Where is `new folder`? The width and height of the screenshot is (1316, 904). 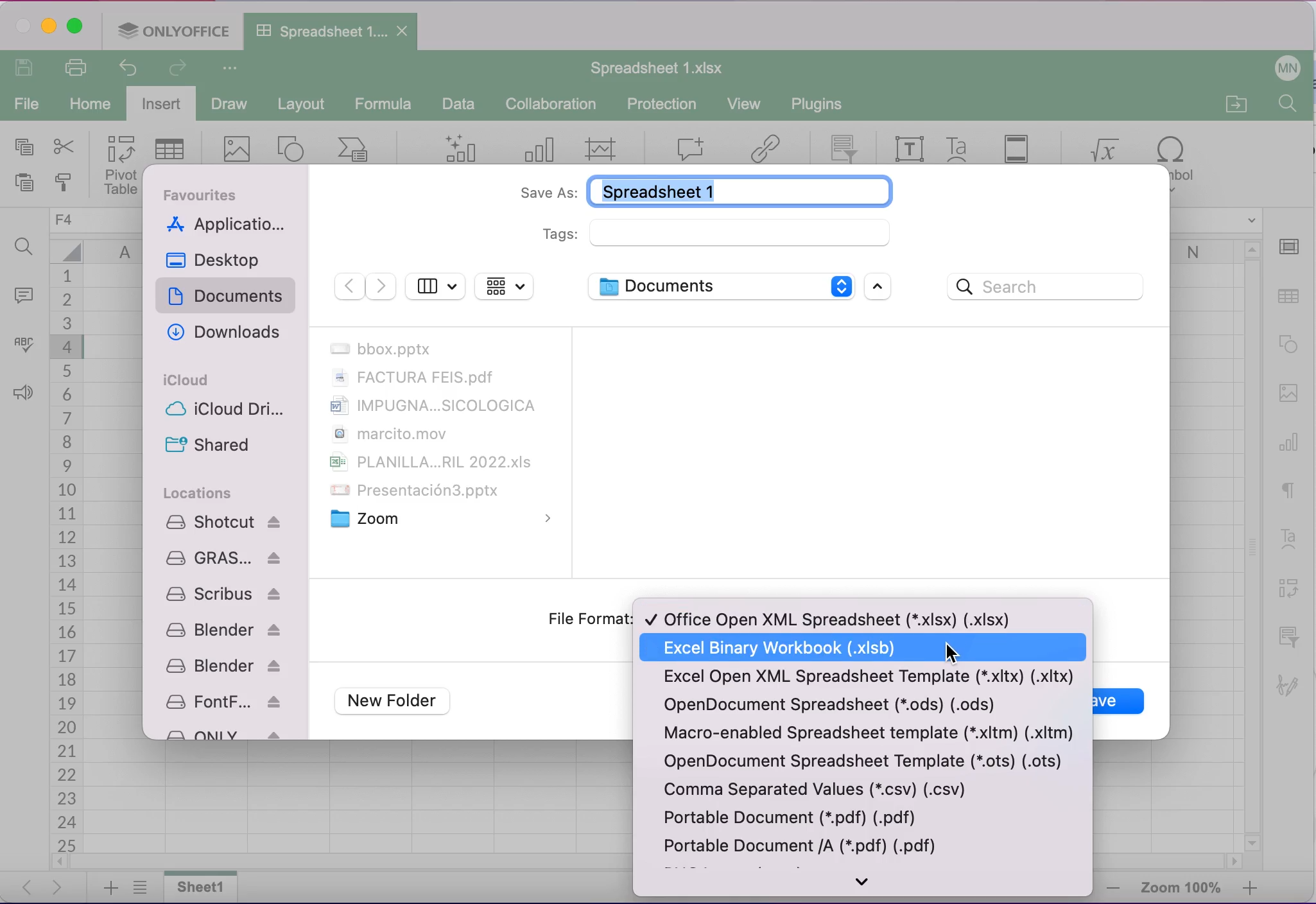 new folder is located at coordinates (398, 702).